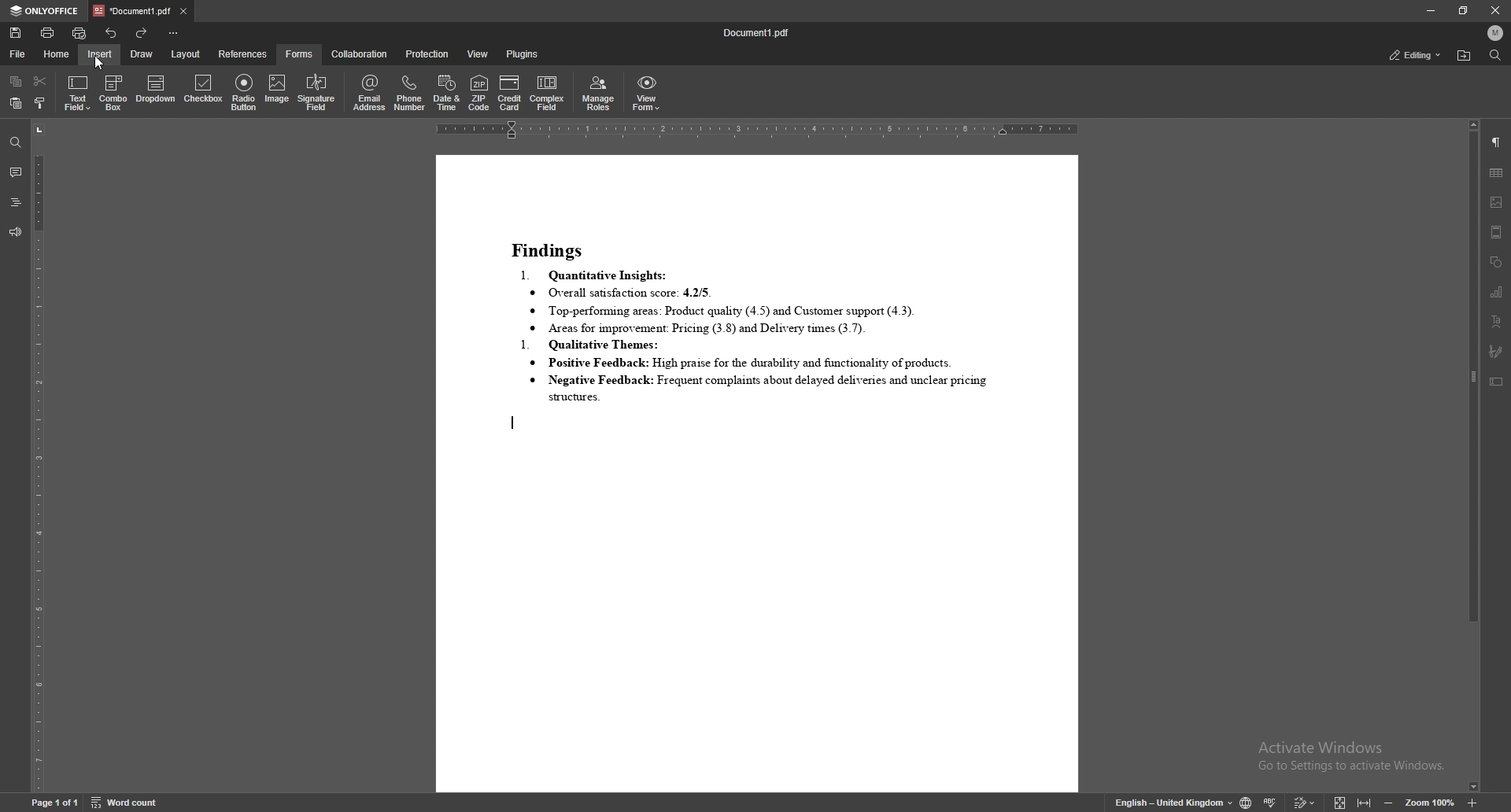 The width and height of the screenshot is (1511, 812). What do you see at coordinates (1495, 32) in the screenshot?
I see `profile` at bounding box center [1495, 32].